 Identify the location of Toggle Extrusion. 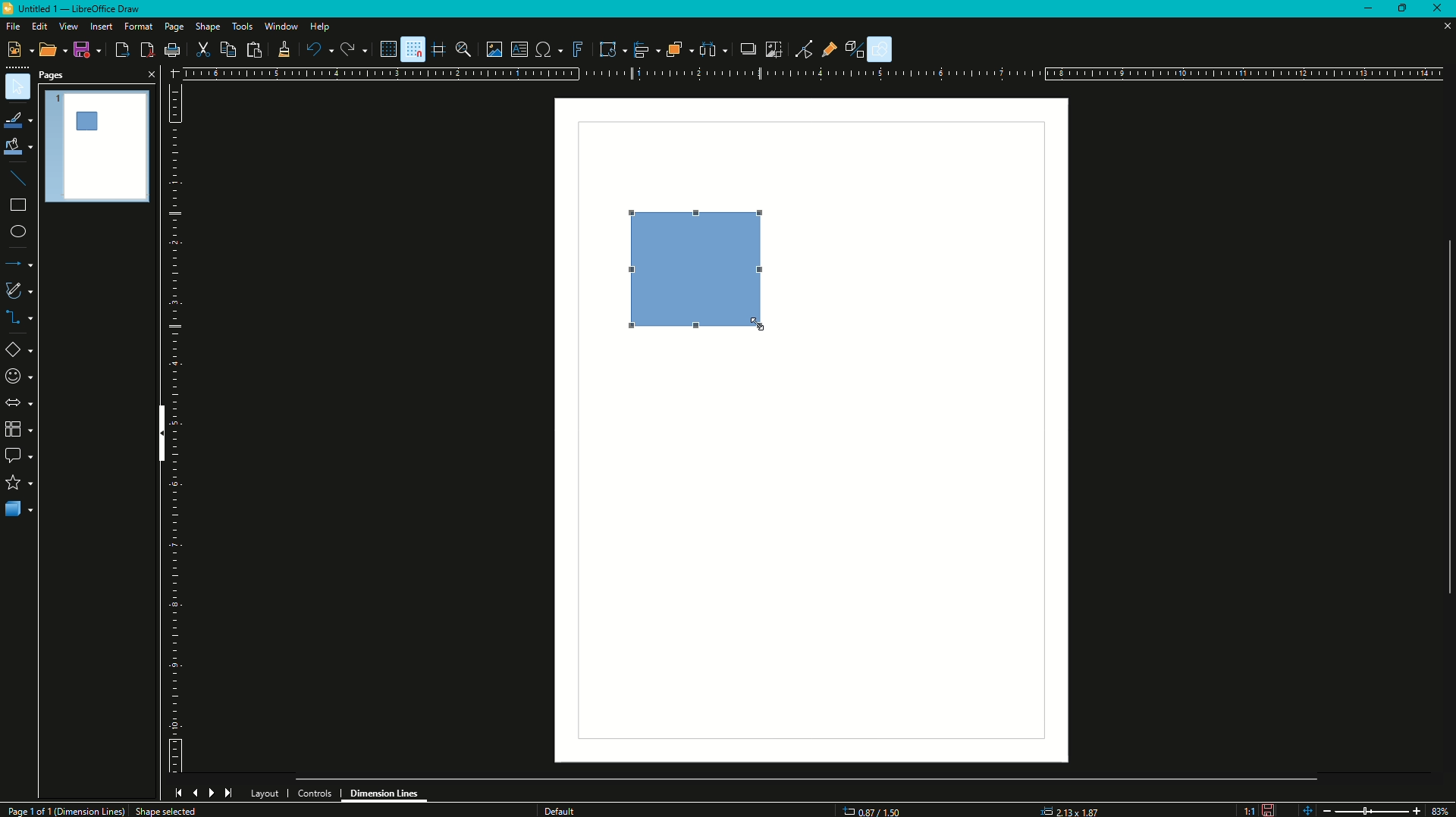
(858, 48).